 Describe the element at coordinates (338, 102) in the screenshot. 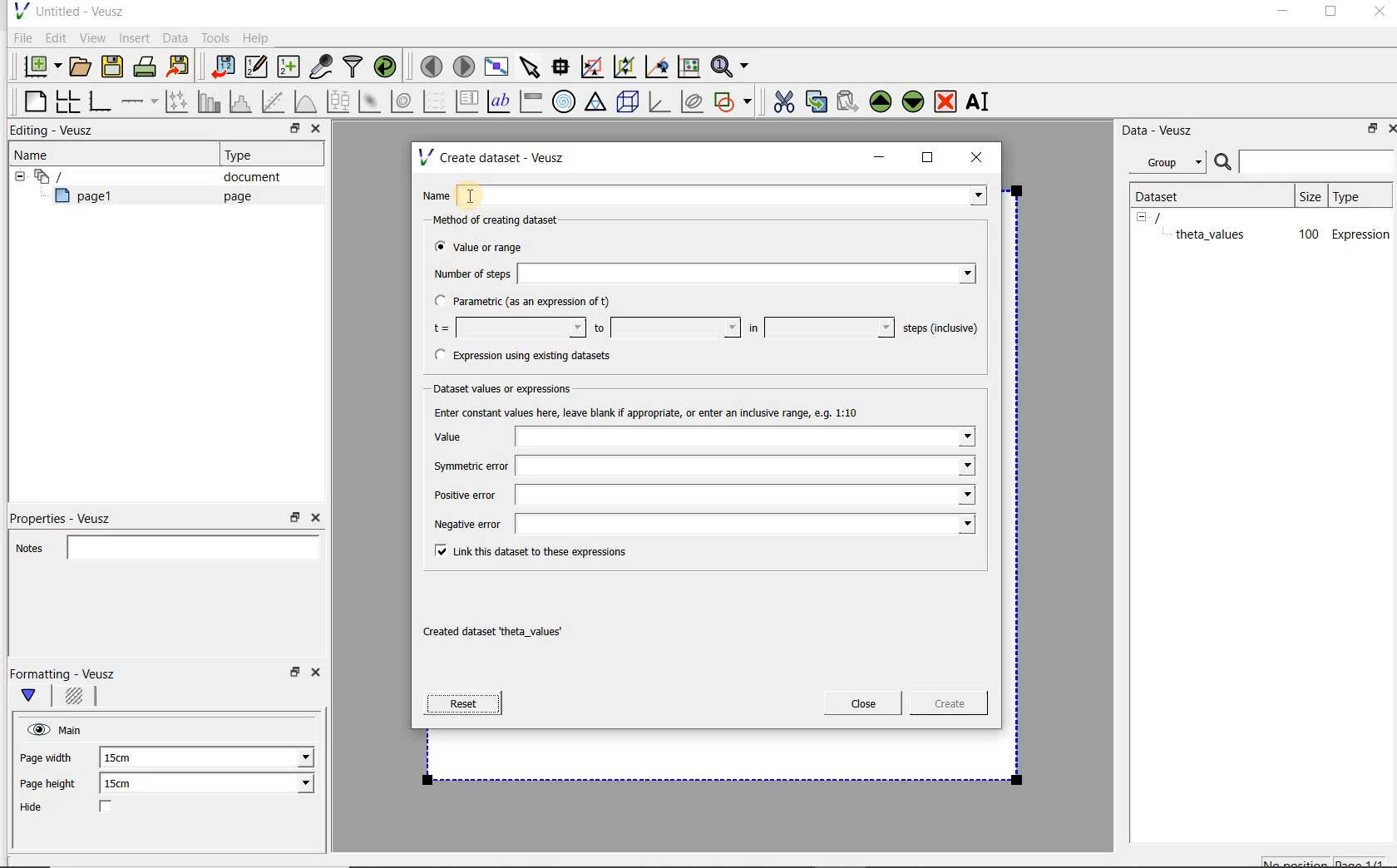

I see `plot box plots` at that location.